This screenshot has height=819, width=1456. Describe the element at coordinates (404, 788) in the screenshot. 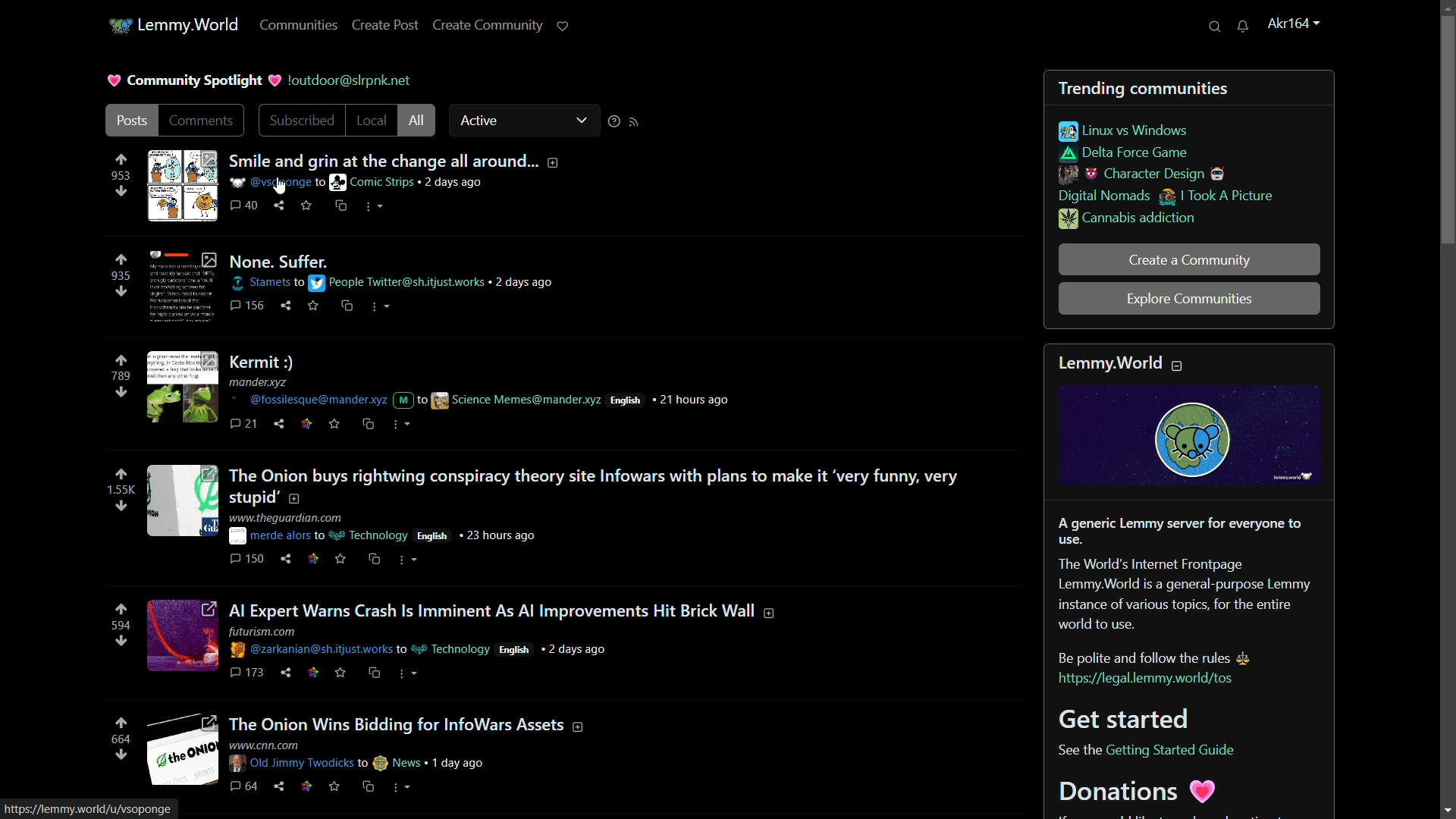

I see `more` at that location.